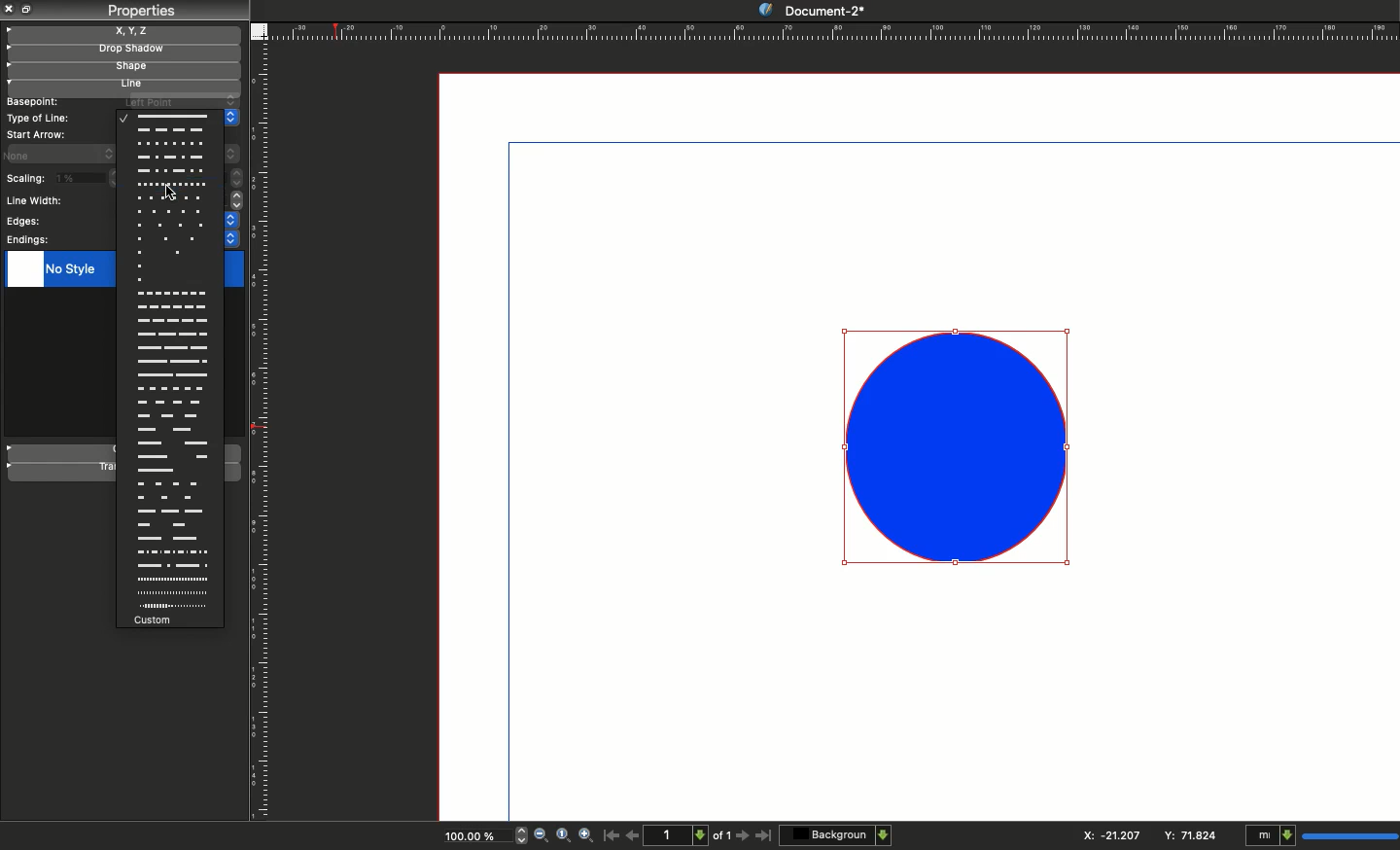  Describe the element at coordinates (78, 177) in the screenshot. I see `1%` at that location.